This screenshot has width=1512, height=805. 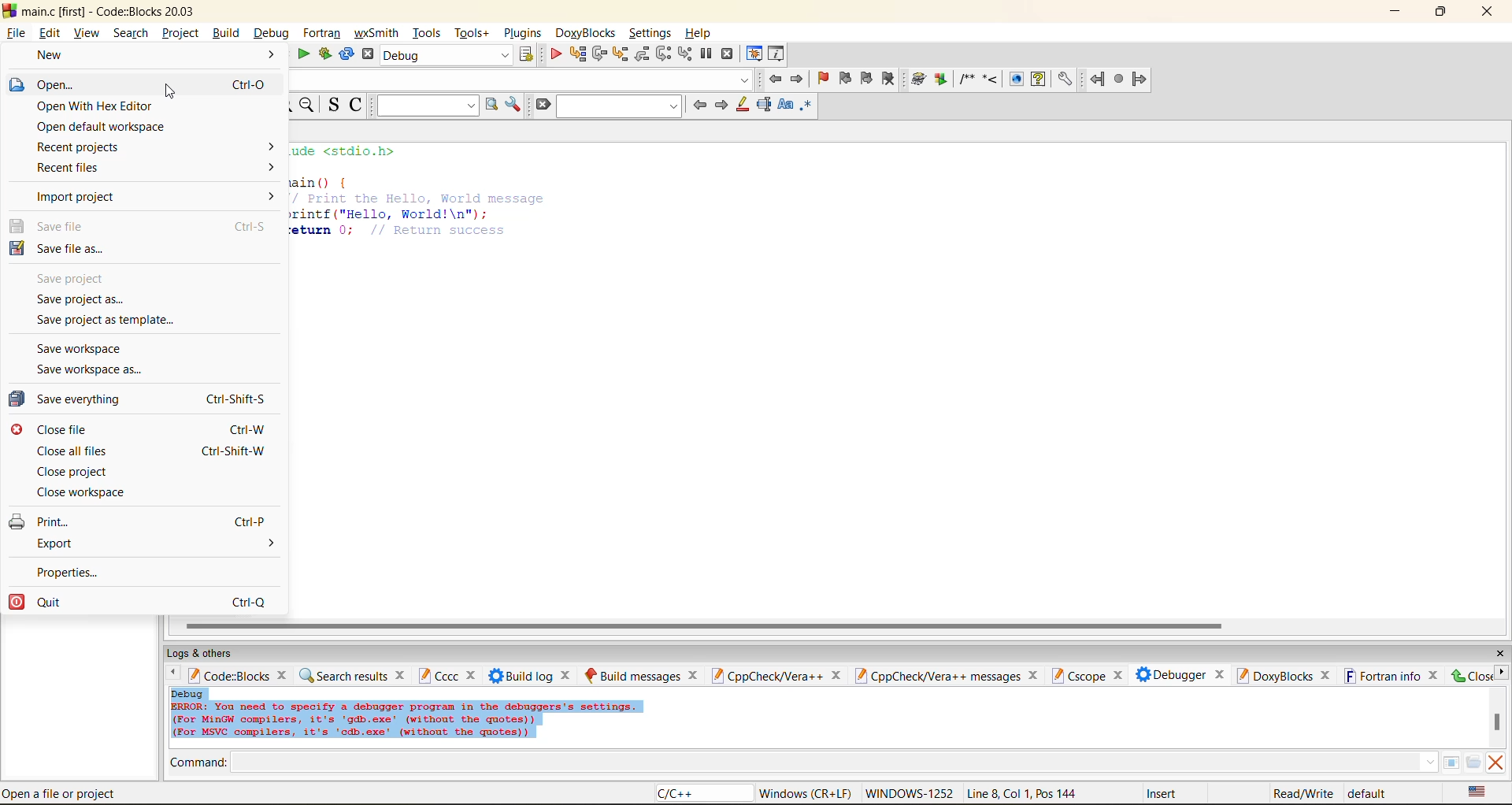 I want to click on edit, so click(x=52, y=33).